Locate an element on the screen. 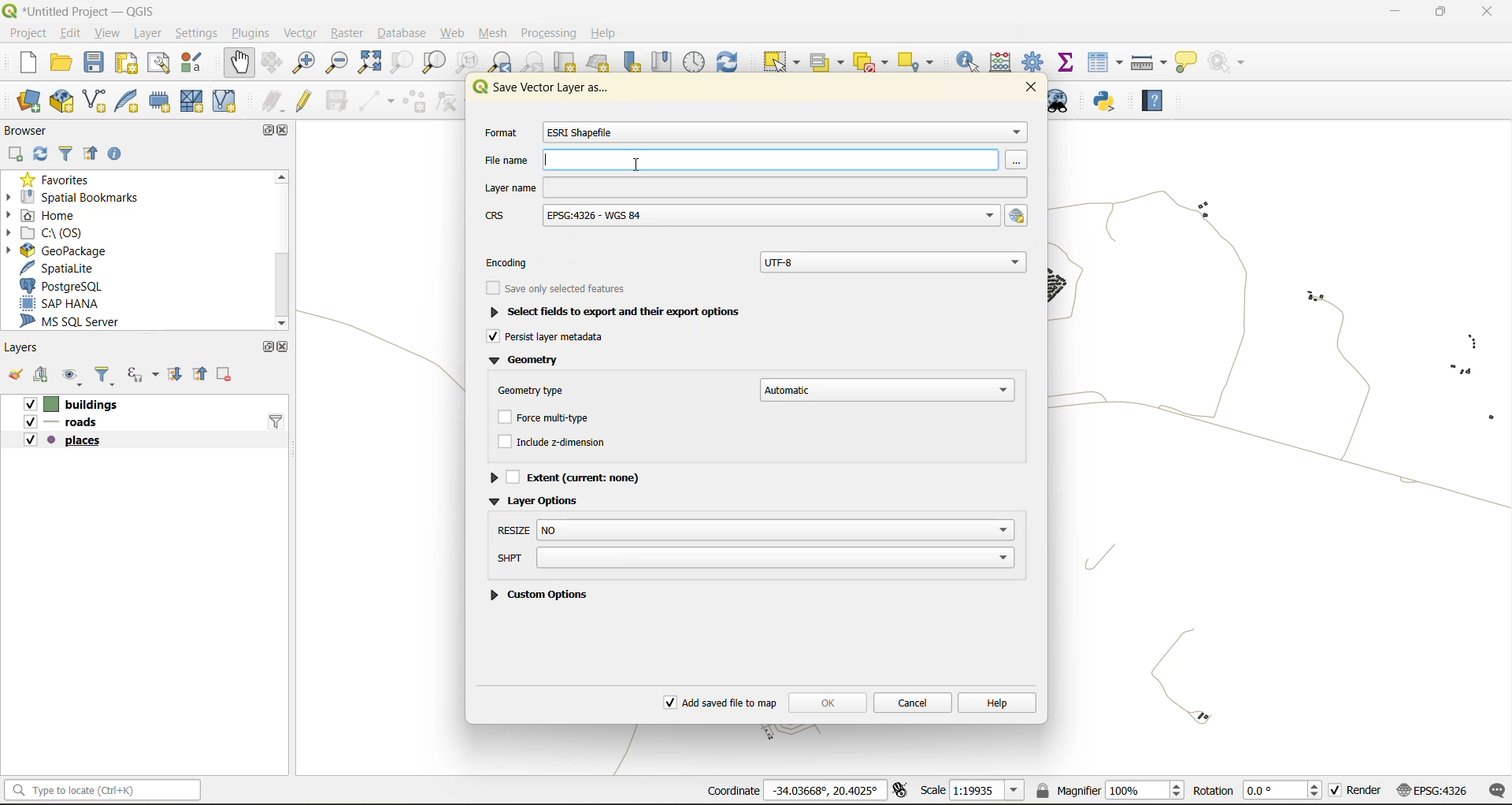 The width and height of the screenshot is (1512, 805). refresh is located at coordinates (736, 59).